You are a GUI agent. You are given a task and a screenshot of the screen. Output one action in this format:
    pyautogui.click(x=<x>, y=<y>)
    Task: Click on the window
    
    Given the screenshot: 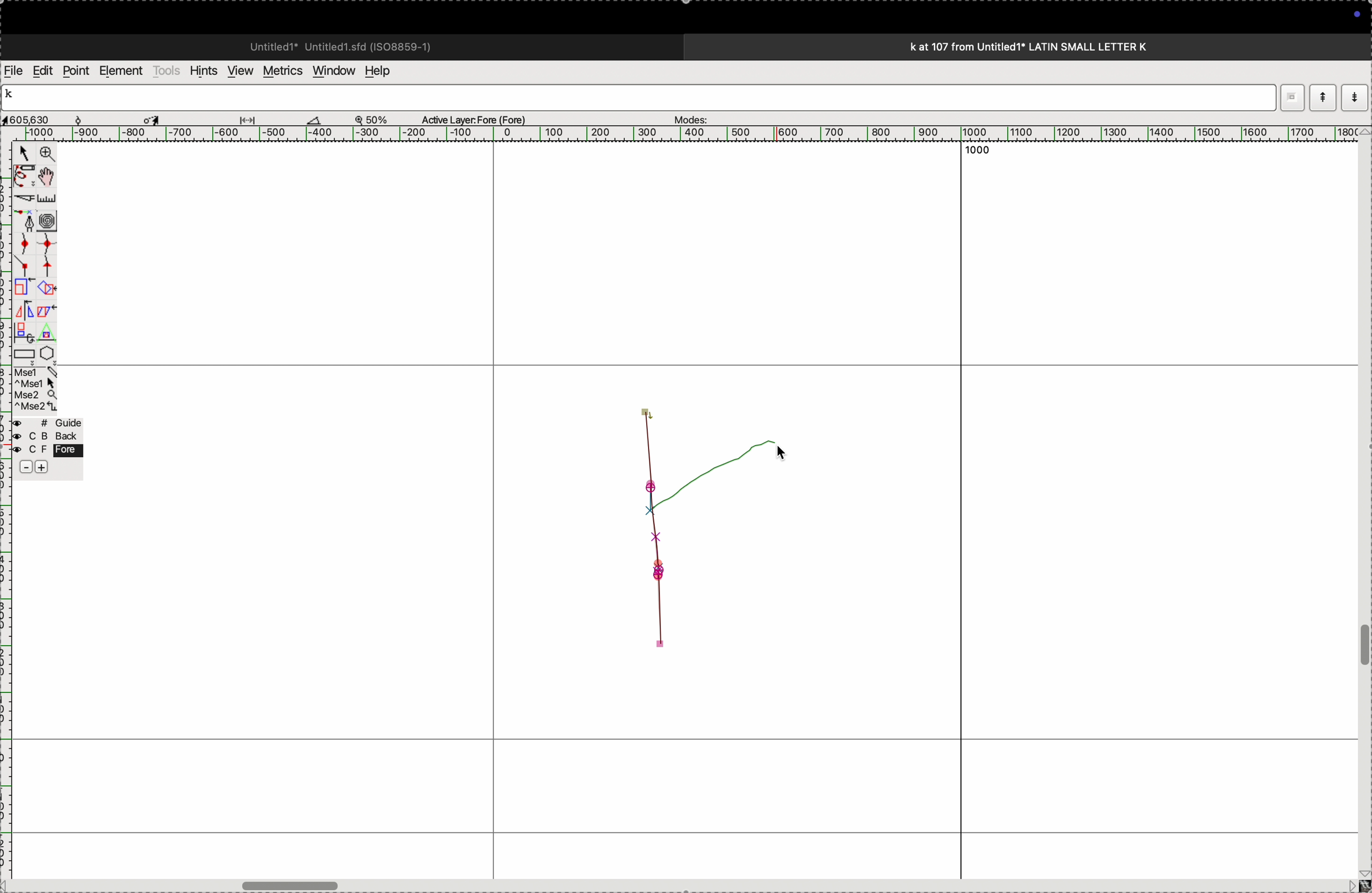 What is the action you would take?
    pyautogui.click(x=331, y=70)
    